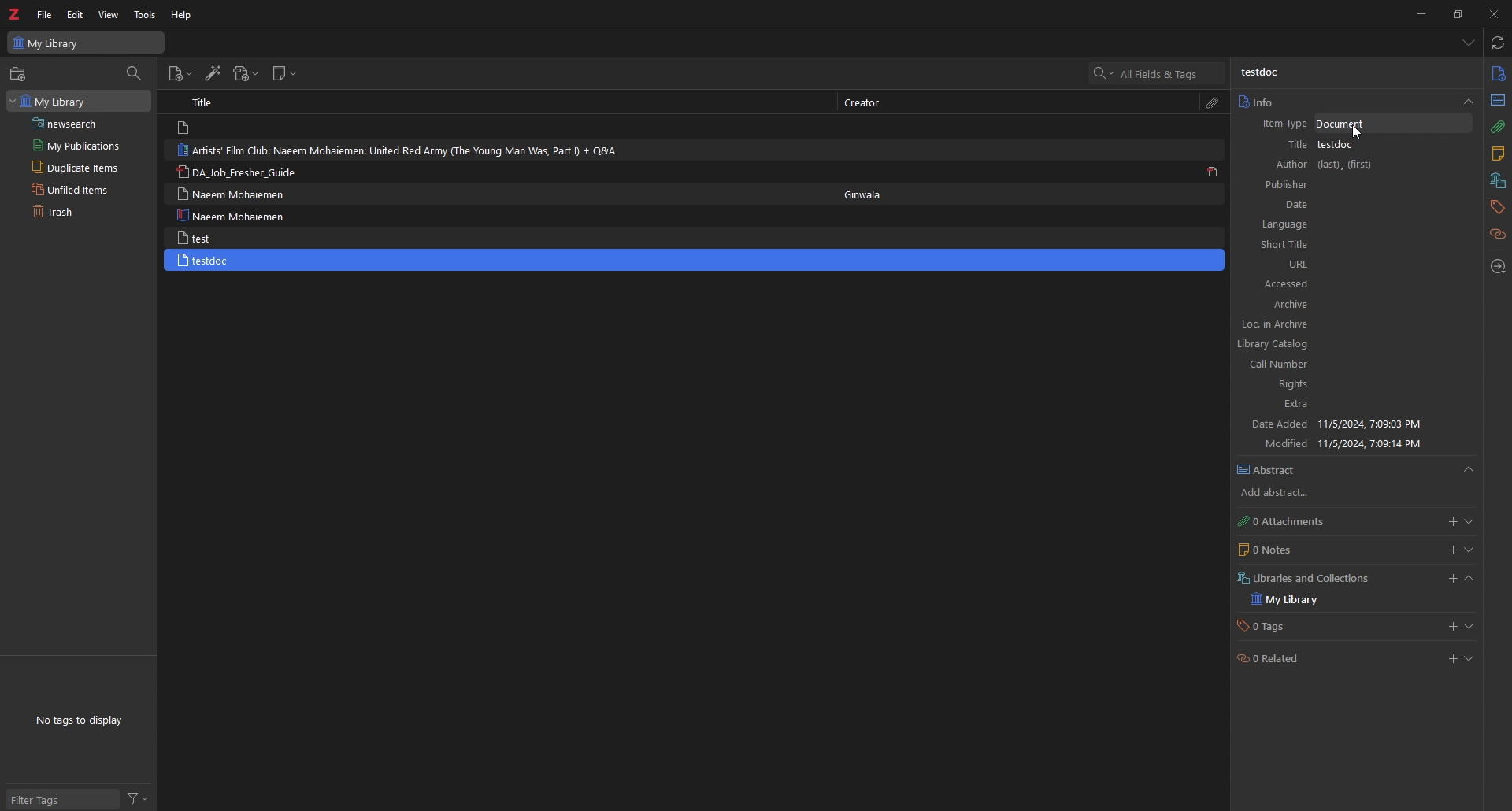  What do you see at coordinates (1497, 267) in the screenshot?
I see `locate` at bounding box center [1497, 267].